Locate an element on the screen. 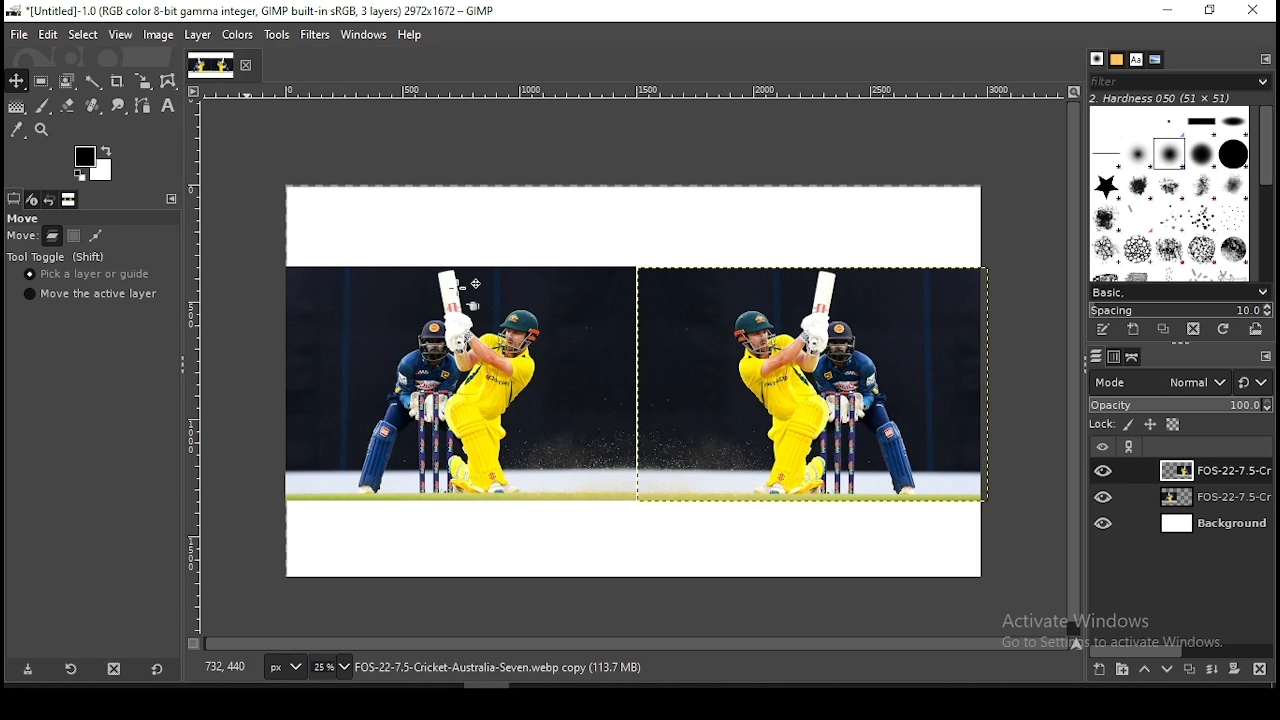  undo history is located at coordinates (49, 200).